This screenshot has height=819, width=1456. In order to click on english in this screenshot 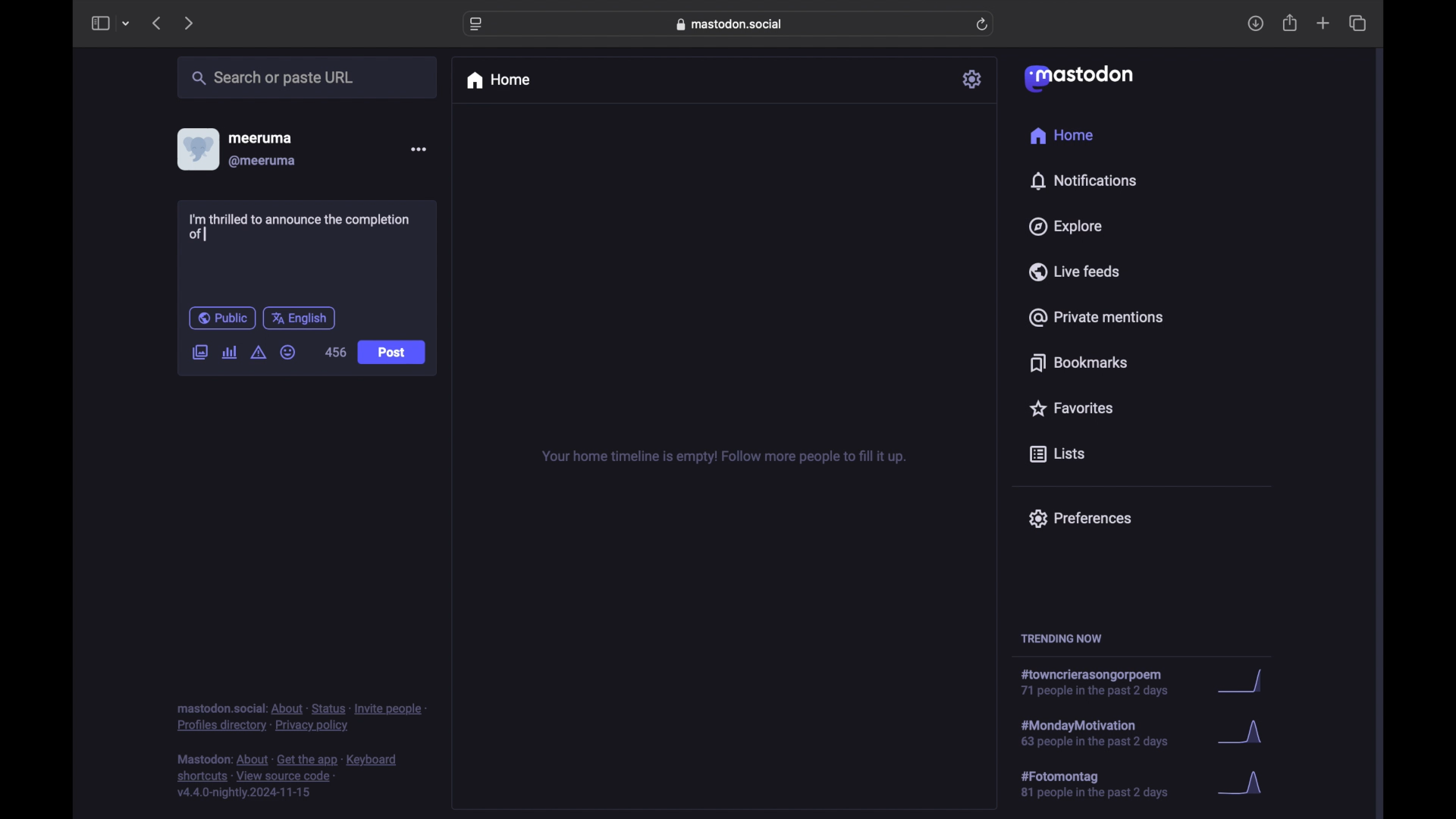, I will do `click(299, 319)`.